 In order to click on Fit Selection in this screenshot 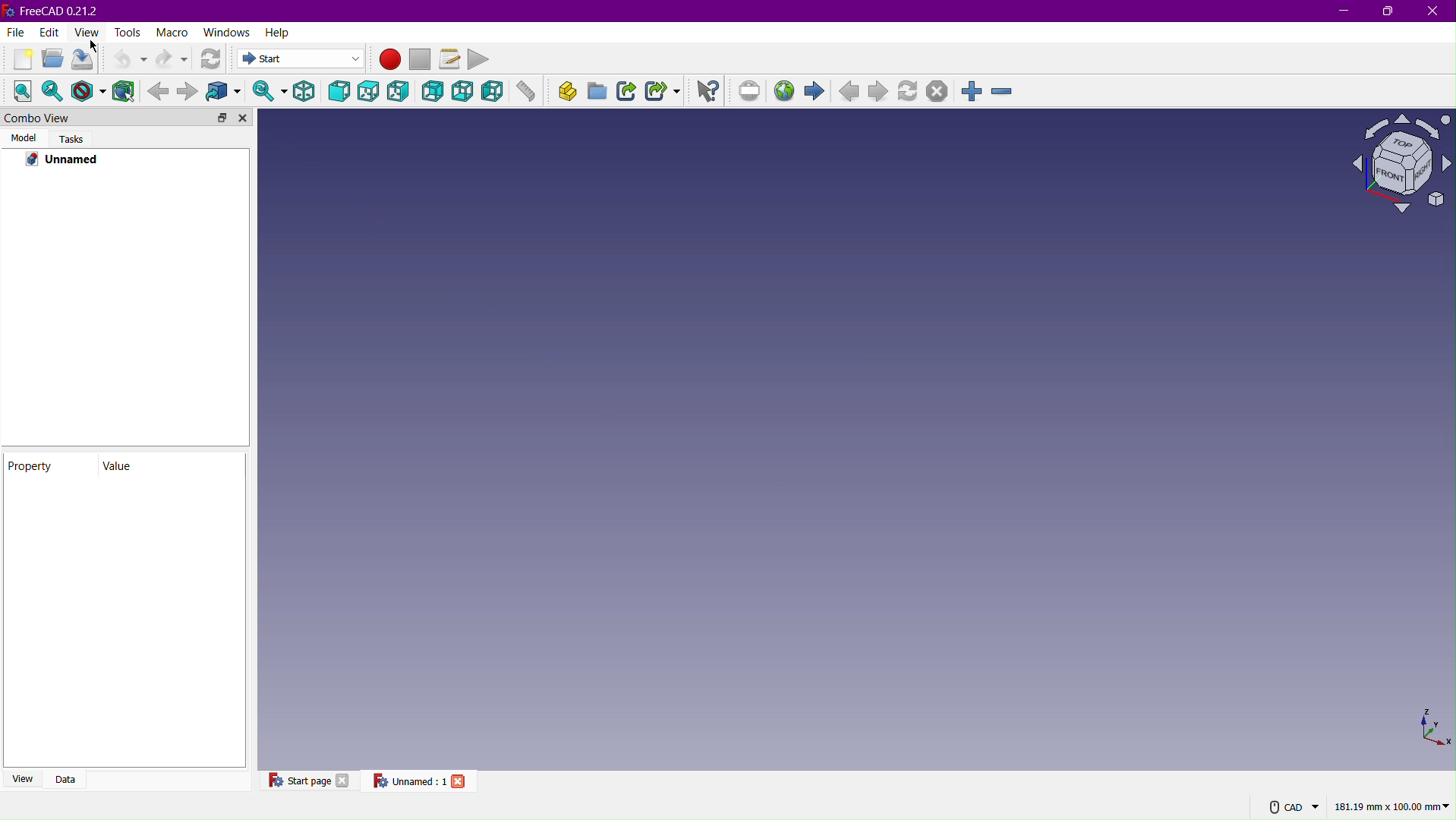, I will do `click(50, 91)`.